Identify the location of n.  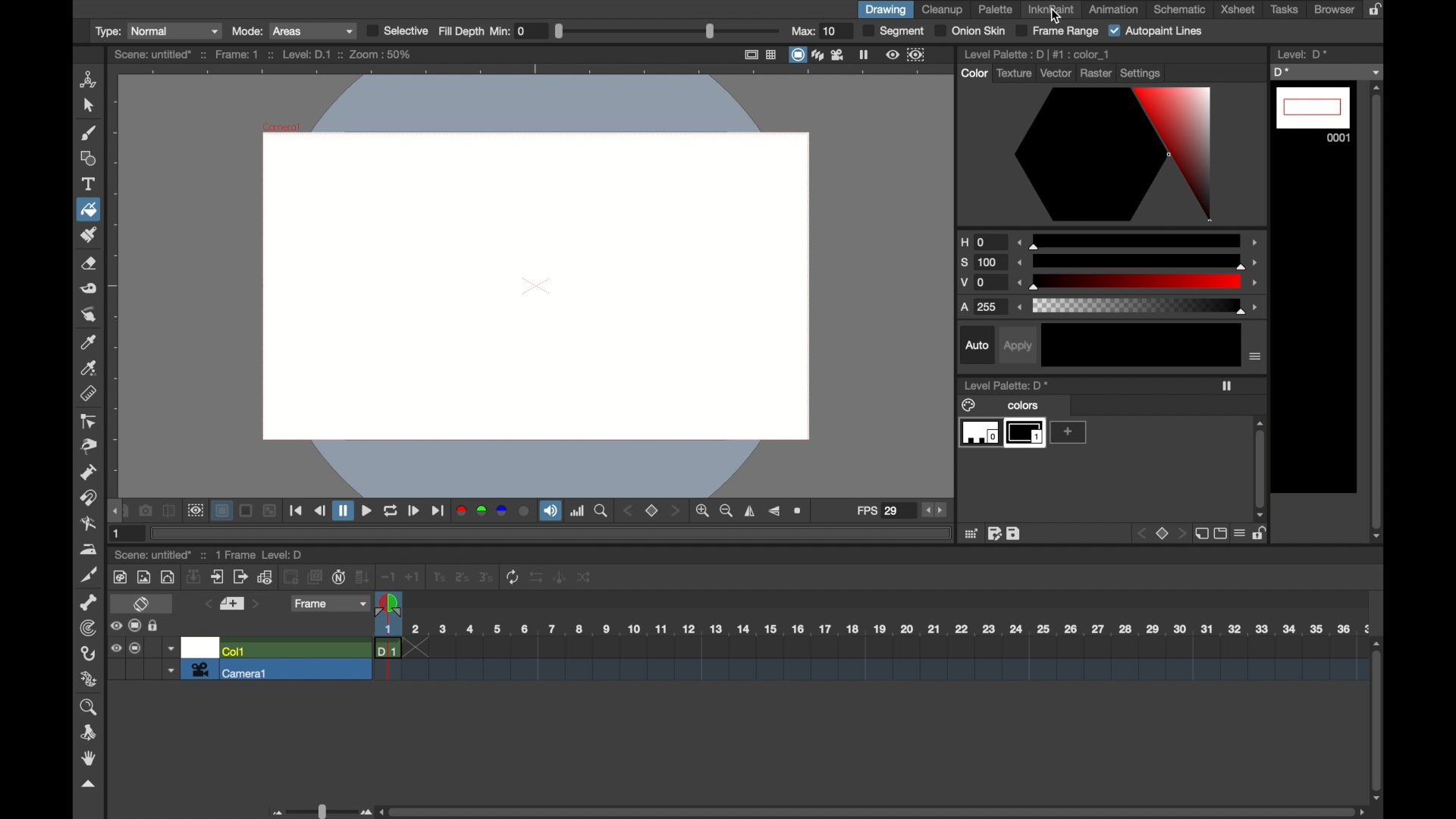
(340, 576).